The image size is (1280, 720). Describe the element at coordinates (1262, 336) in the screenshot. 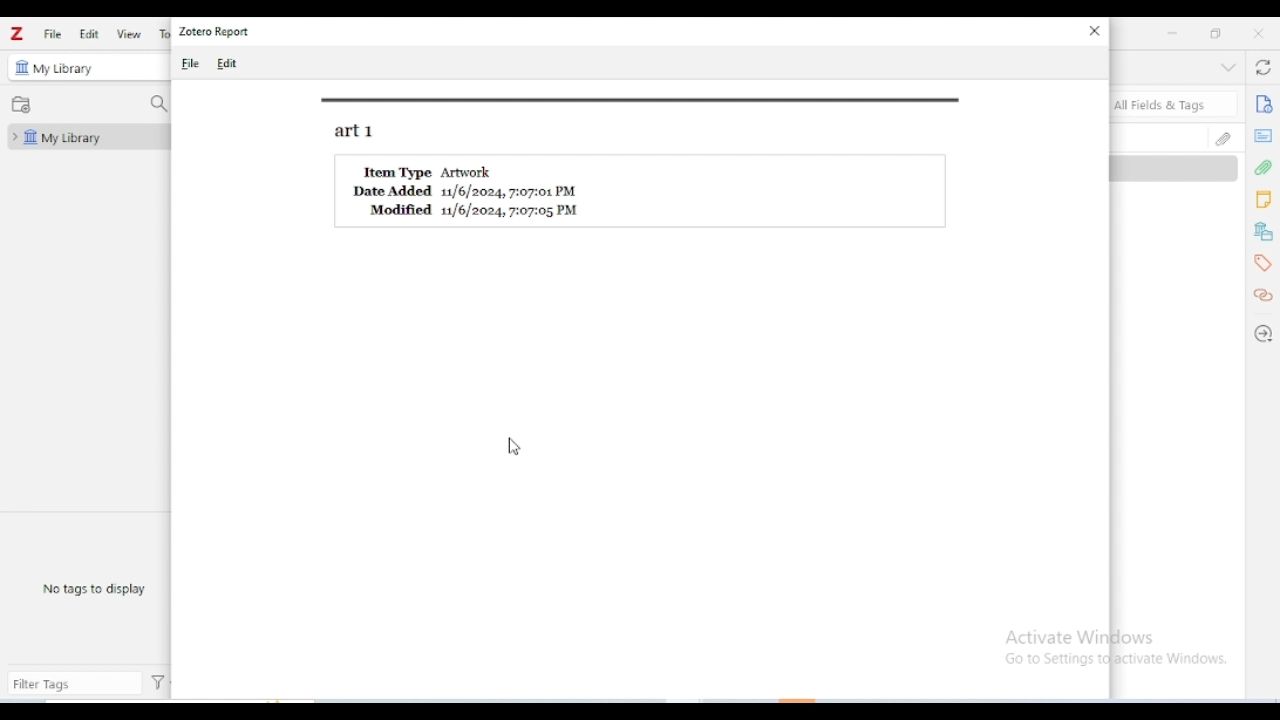

I see `locate` at that location.